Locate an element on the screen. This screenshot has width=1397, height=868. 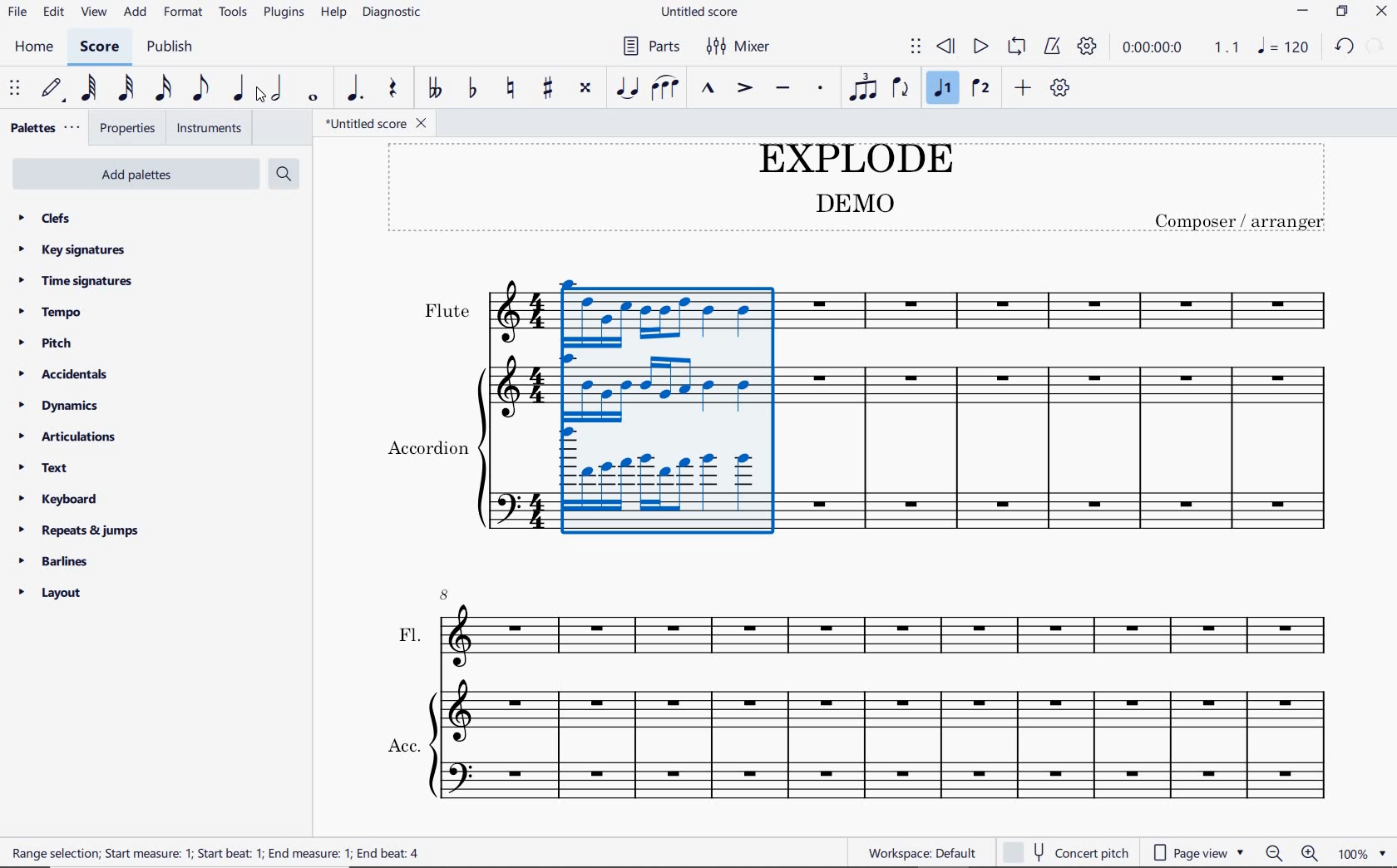
playback time is located at coordinates (1153, 48).